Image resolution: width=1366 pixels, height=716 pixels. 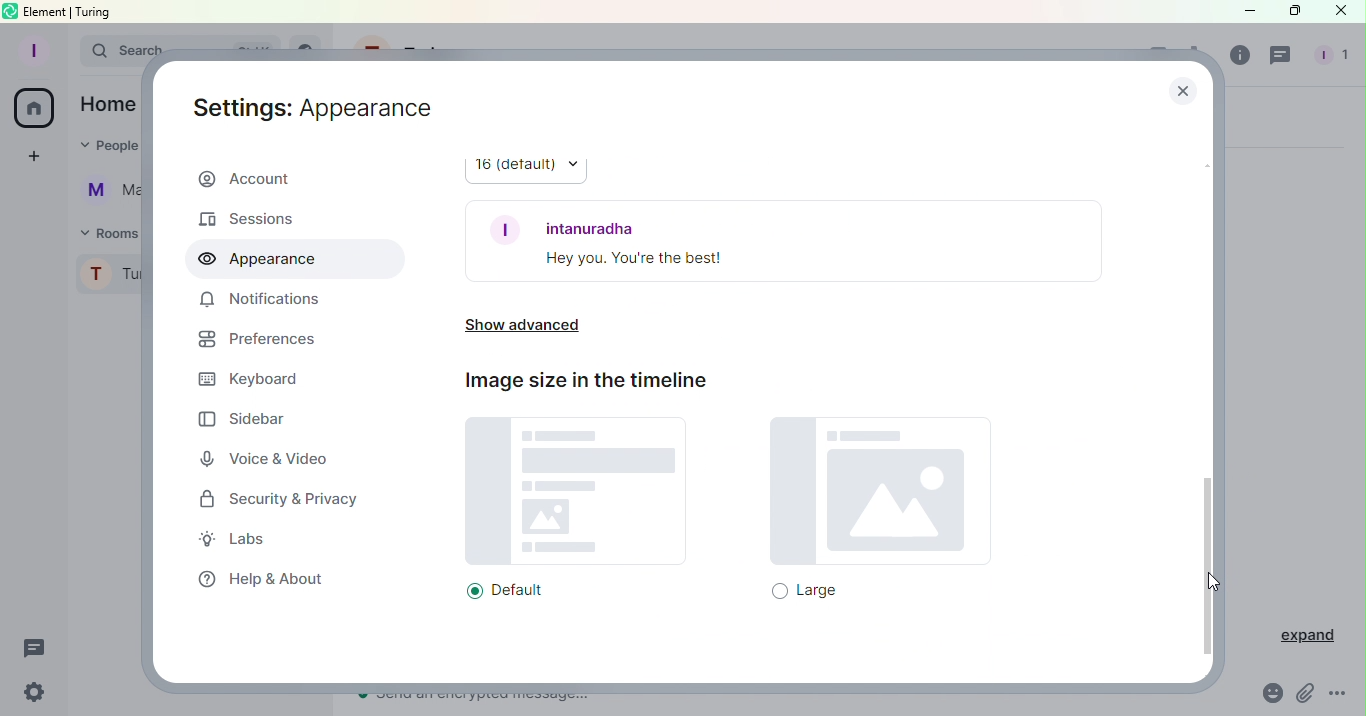 I want to click on People, so click(x=109, y=148).